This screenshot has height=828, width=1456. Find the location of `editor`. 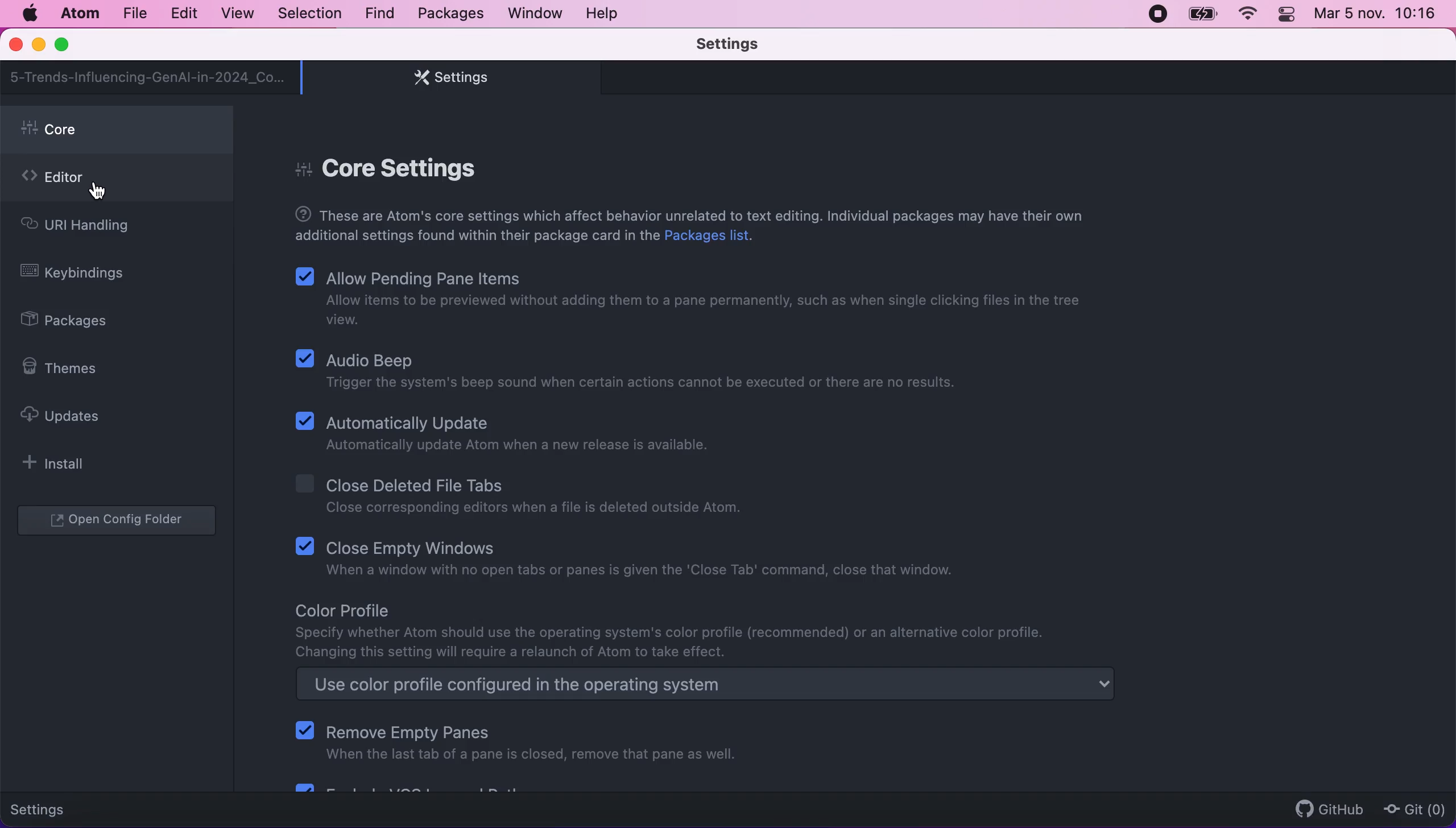

editor is located at coordinates (117, 181).